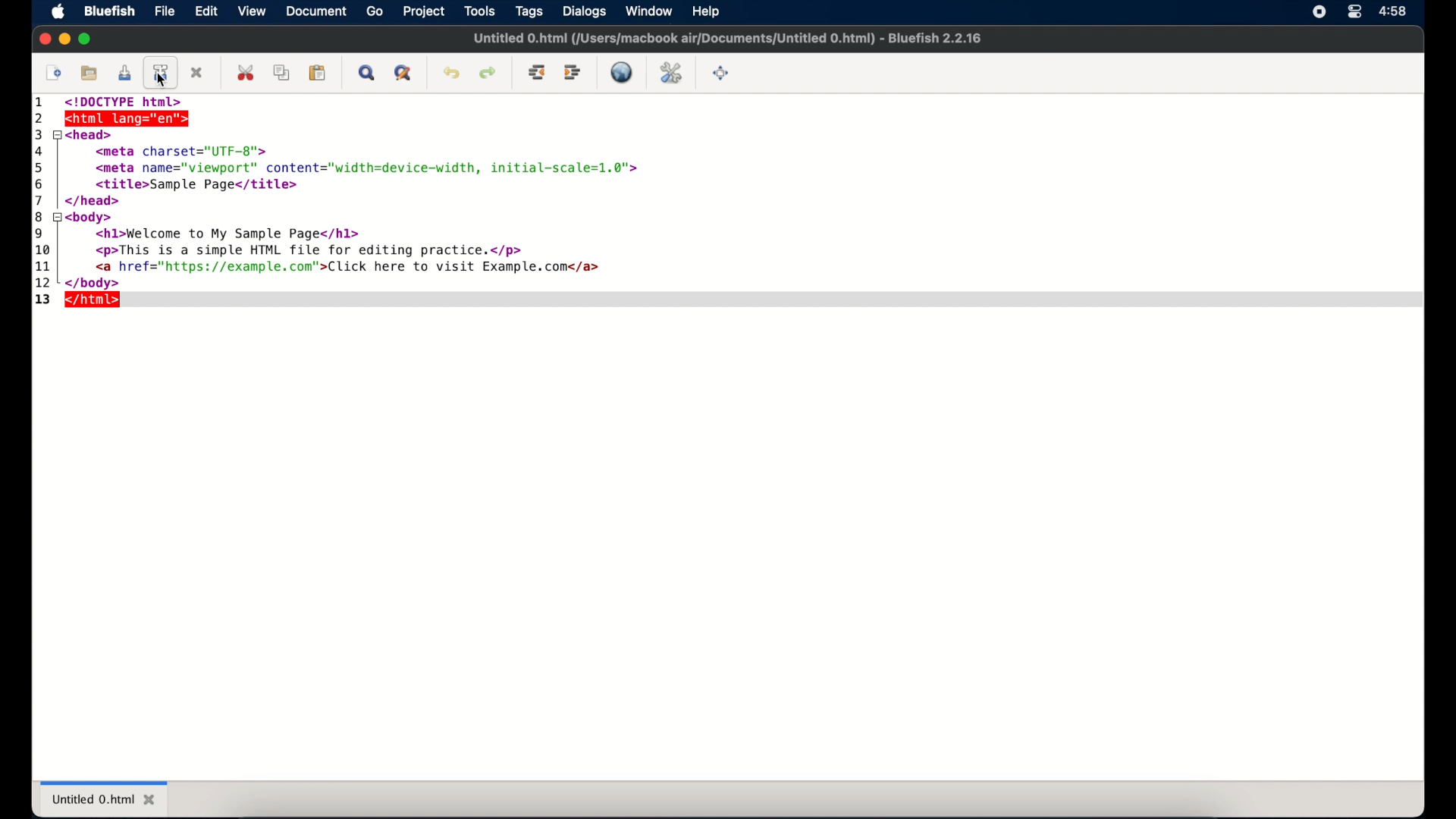 The height and width of the screenshot is (819, 1456). Describe the element at coordinates (96, 201) in the screenshot. I see `</head>` at that location.